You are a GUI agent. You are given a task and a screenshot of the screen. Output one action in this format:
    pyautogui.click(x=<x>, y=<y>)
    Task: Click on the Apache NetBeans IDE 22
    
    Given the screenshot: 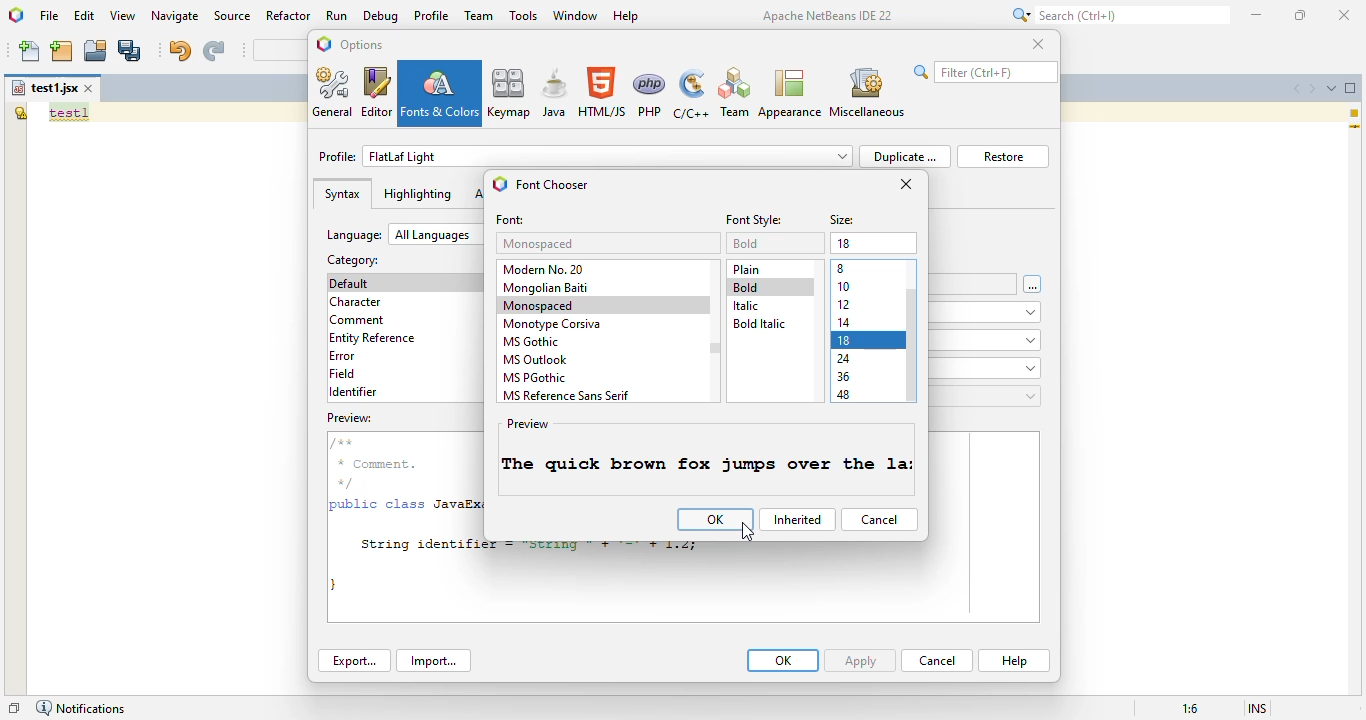 What is the action you would take?
    pyautogui.click(x=828, y=15)
    